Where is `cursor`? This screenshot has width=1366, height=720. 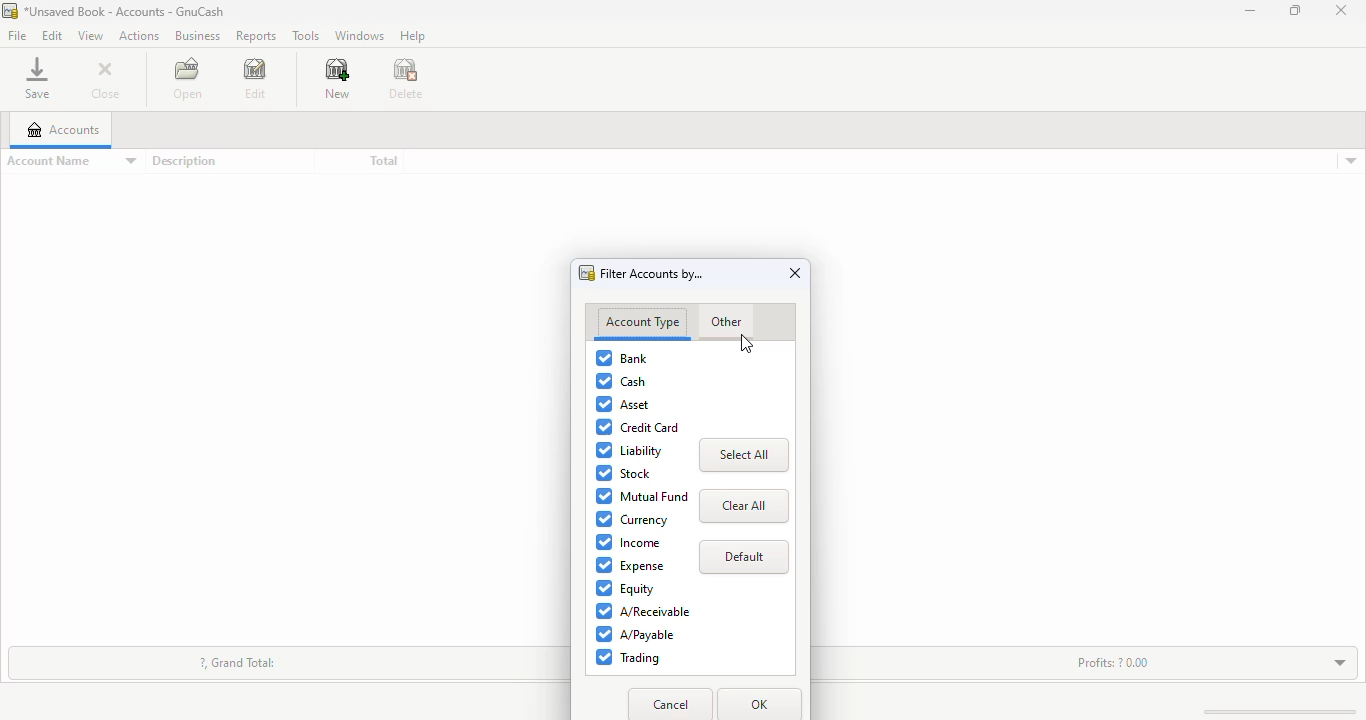
cursor is located at coordinates (745, 344).